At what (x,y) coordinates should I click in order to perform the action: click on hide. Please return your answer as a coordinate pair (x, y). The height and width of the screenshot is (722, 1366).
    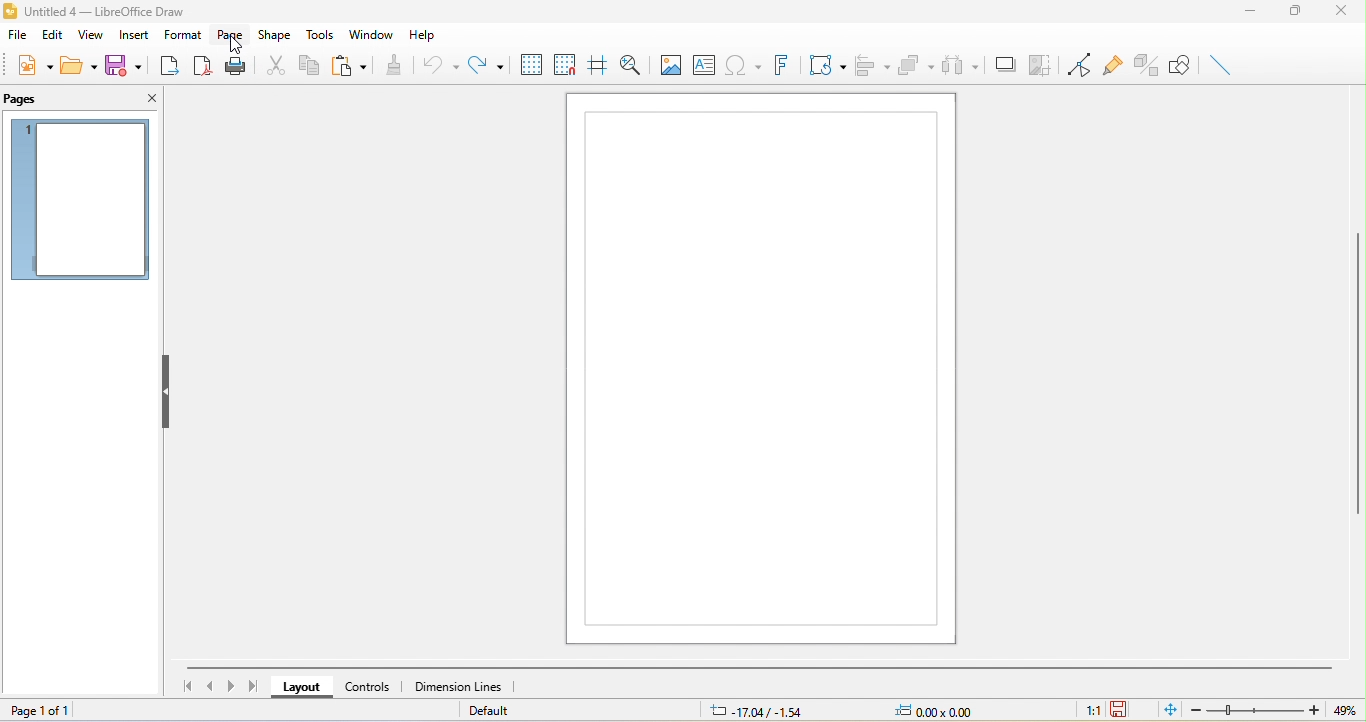
    Looking at the image, I should click on (164, 392).